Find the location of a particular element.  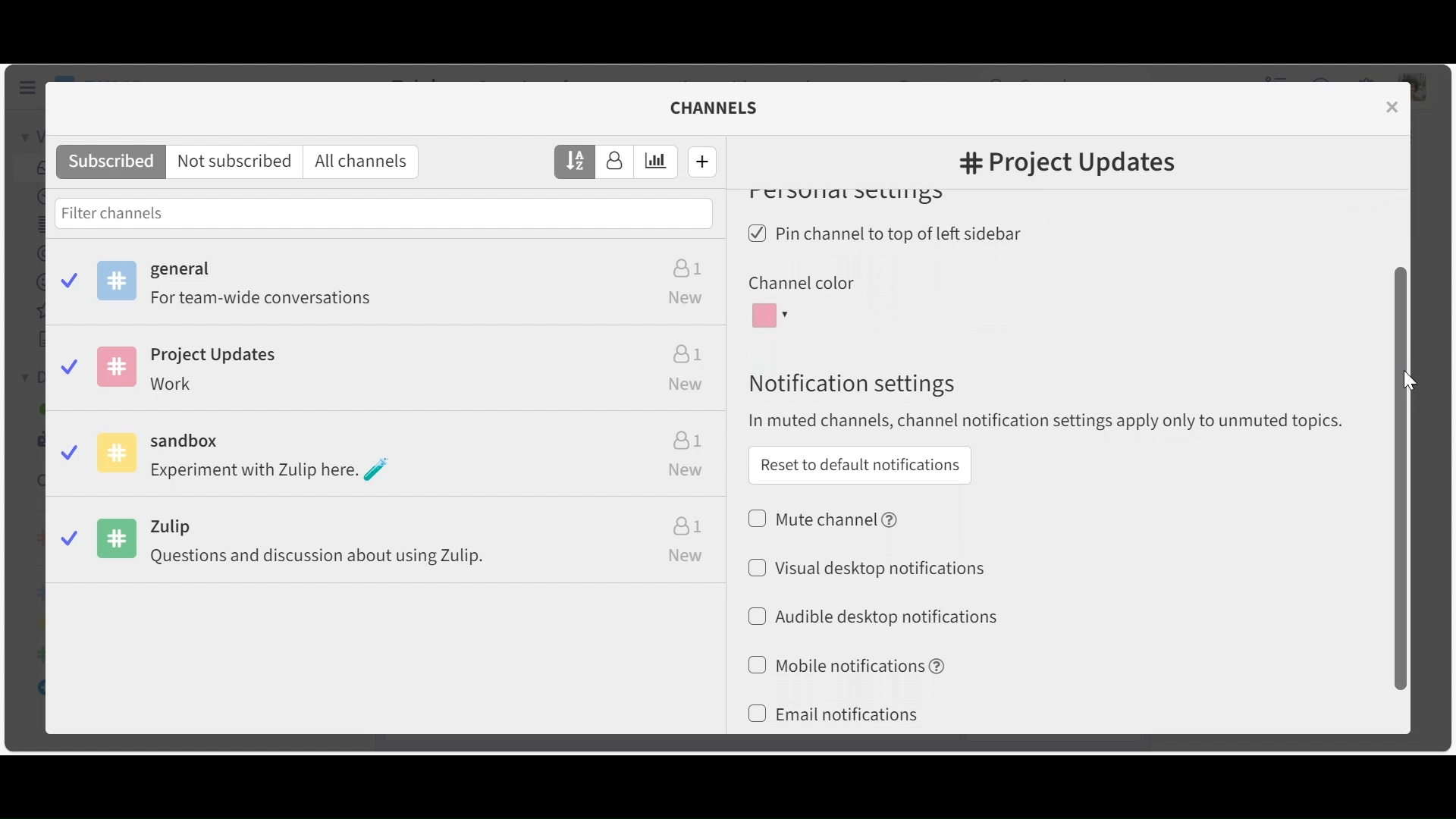

Vertical Scrollbar is located at coordinates (1401, 476).